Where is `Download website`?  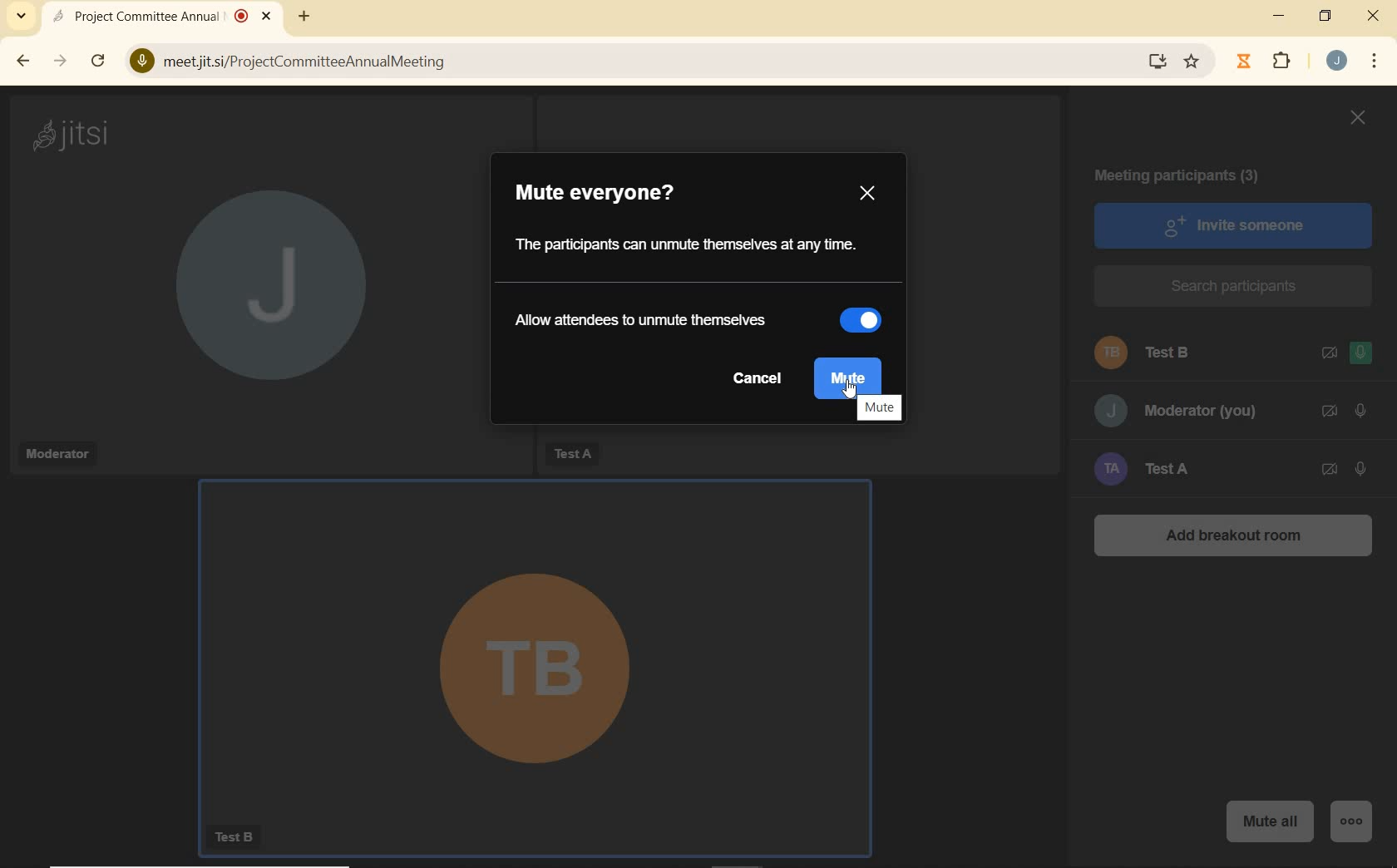 Download website is located at coordinates (1155, 62).